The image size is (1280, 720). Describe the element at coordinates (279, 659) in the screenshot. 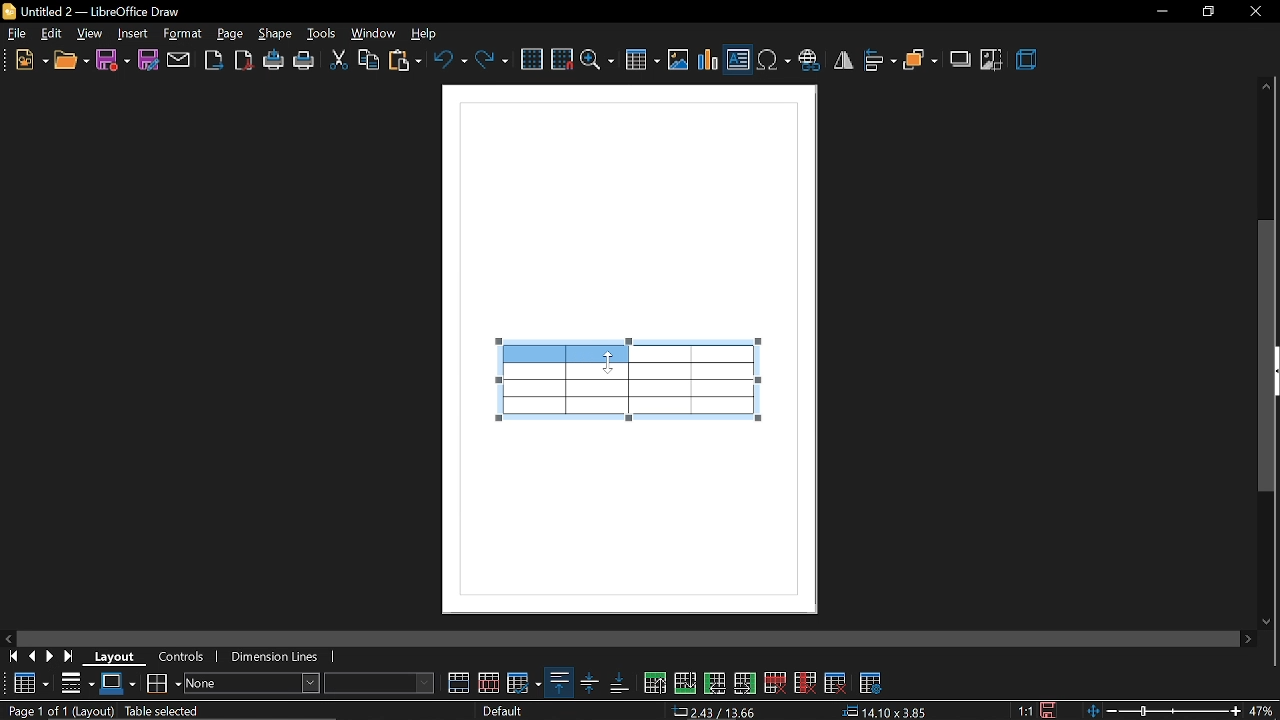

I see `dimension lines` at that location.